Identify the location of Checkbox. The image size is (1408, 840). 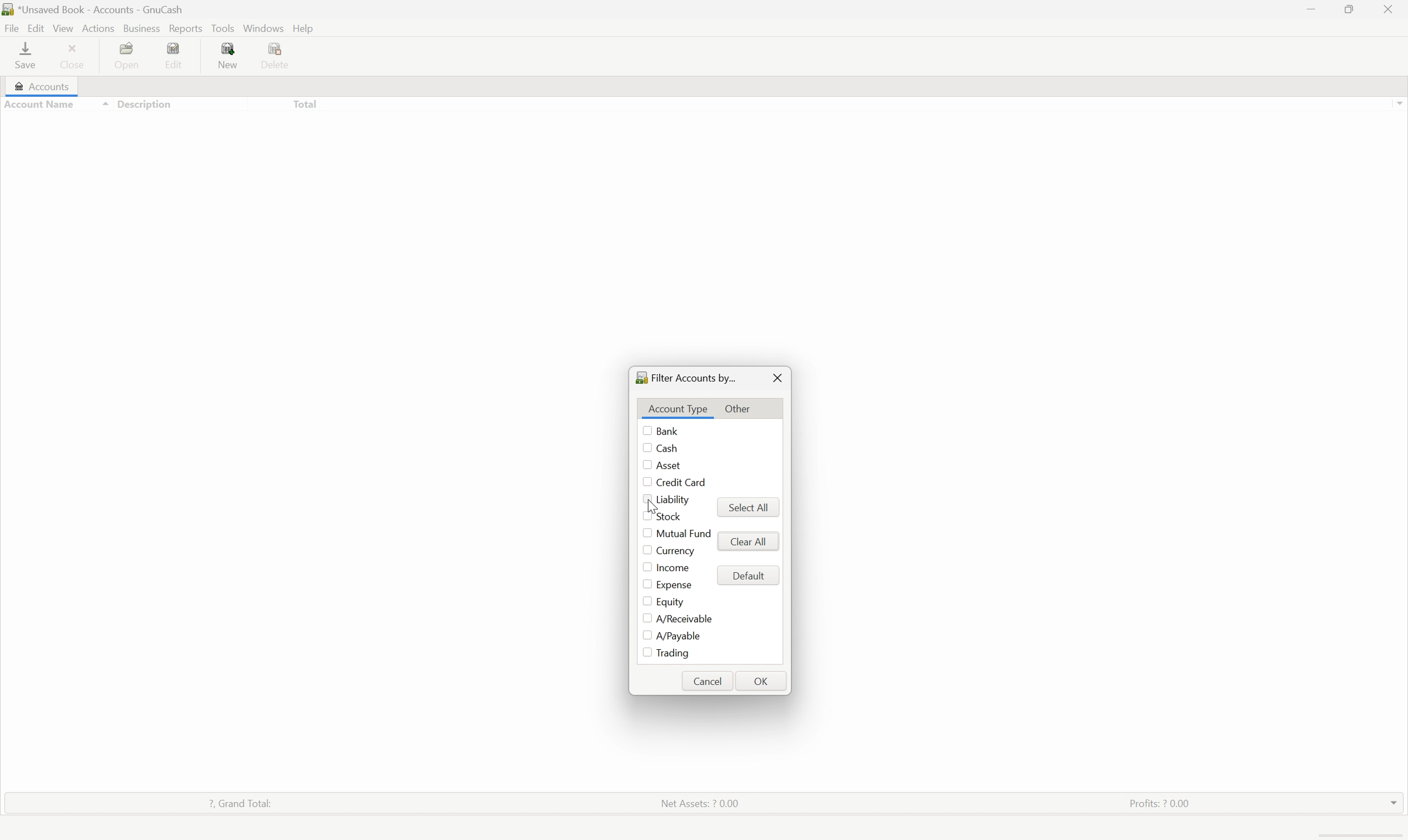
(643, 635).